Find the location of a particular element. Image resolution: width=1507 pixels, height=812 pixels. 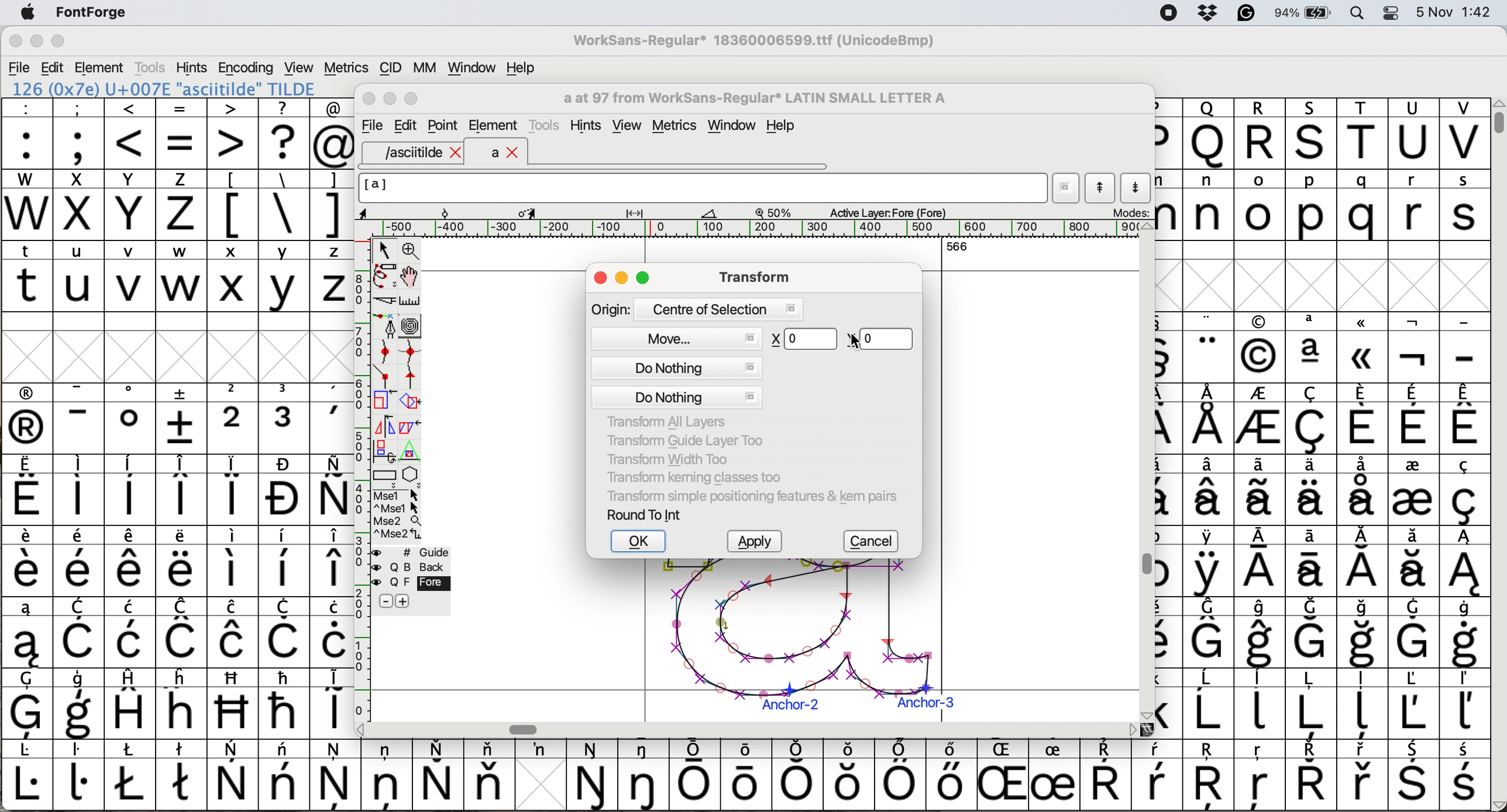

control center is located at coordinates (1395, 12).